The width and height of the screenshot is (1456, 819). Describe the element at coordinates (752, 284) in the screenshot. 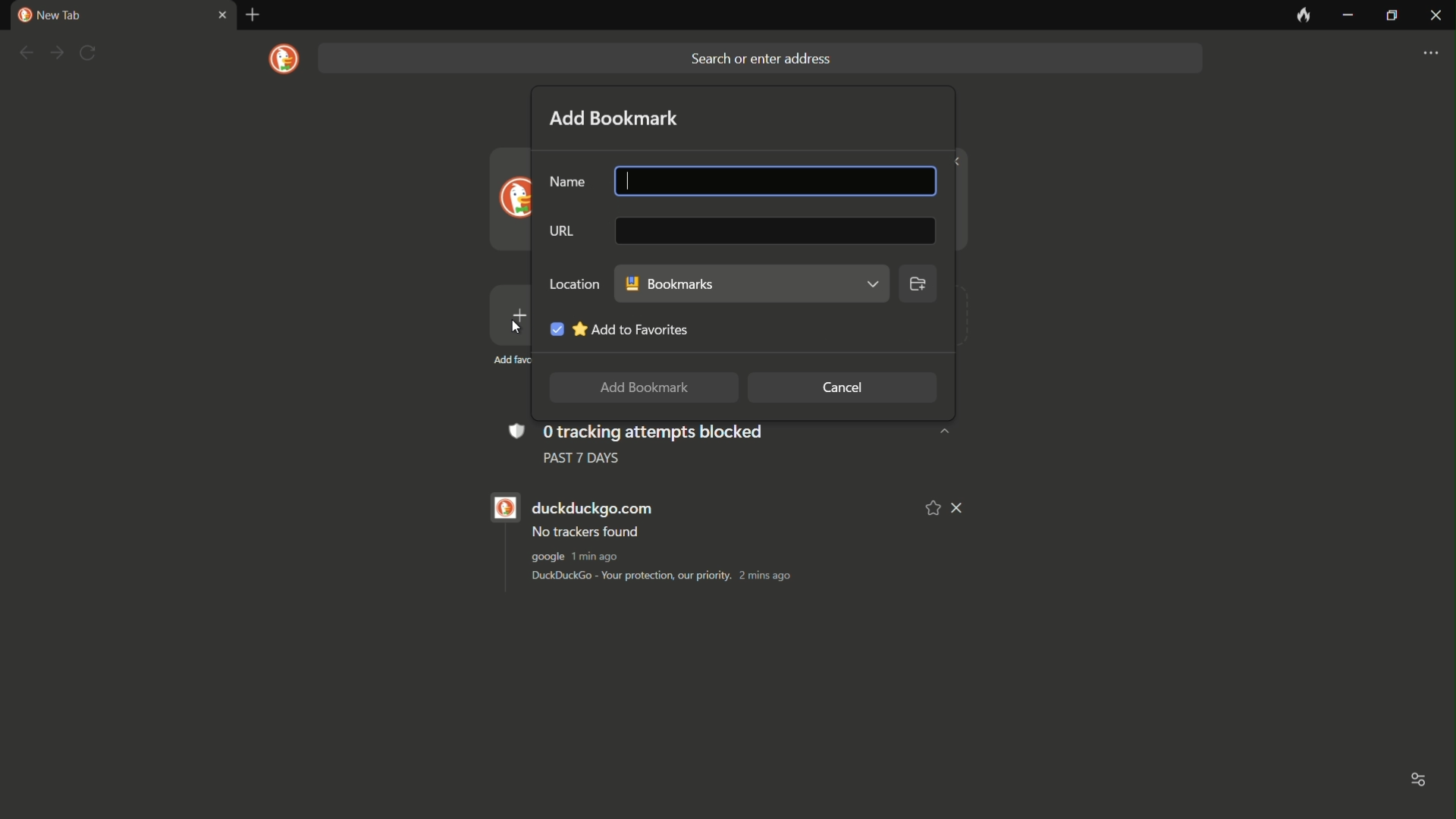

I see `bookmark` at that location.